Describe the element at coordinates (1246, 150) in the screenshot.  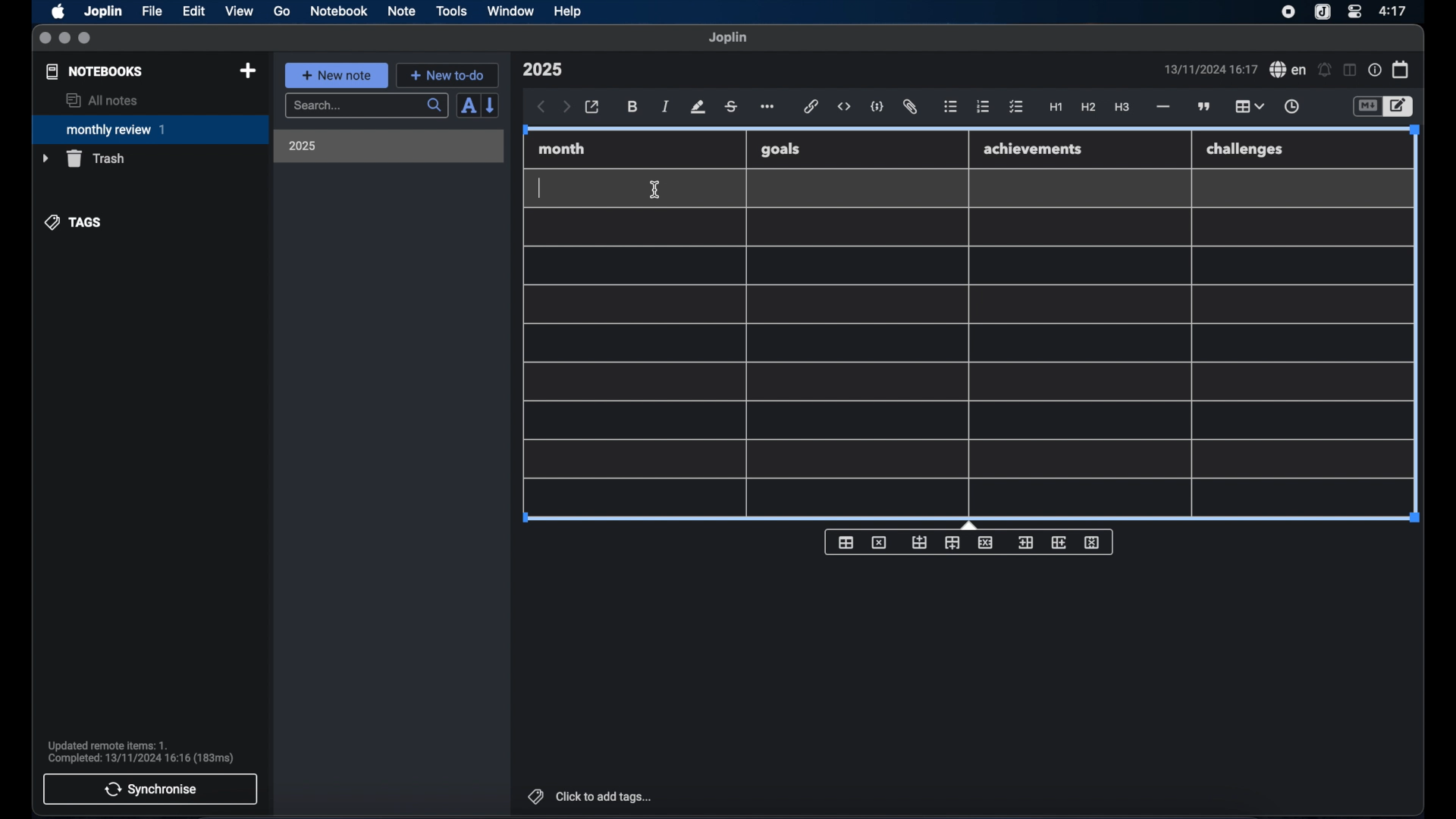
I see `challenges` at that location.